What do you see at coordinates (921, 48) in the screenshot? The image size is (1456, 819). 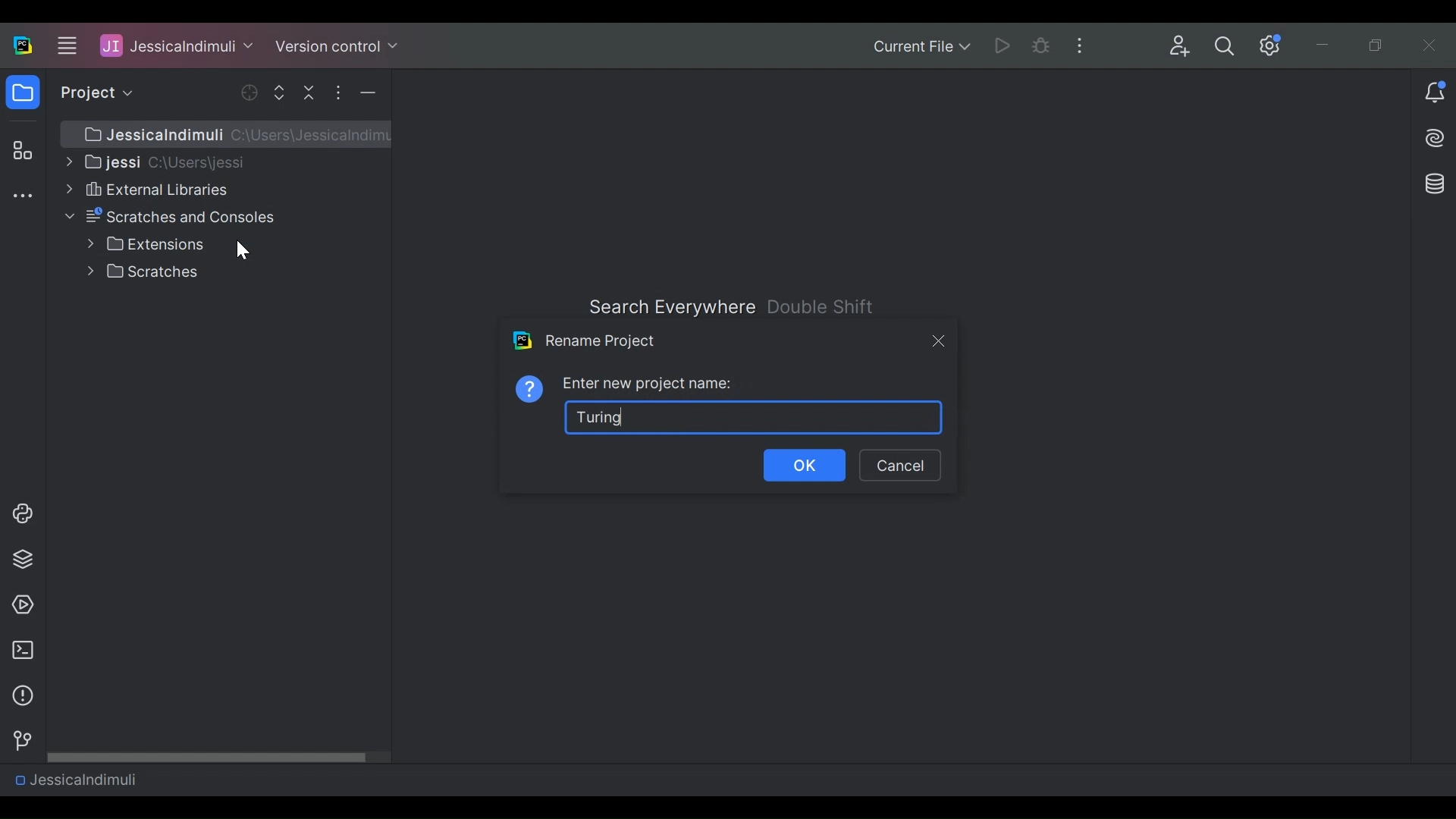 I see `Current File` at bounding box center [921, 48].